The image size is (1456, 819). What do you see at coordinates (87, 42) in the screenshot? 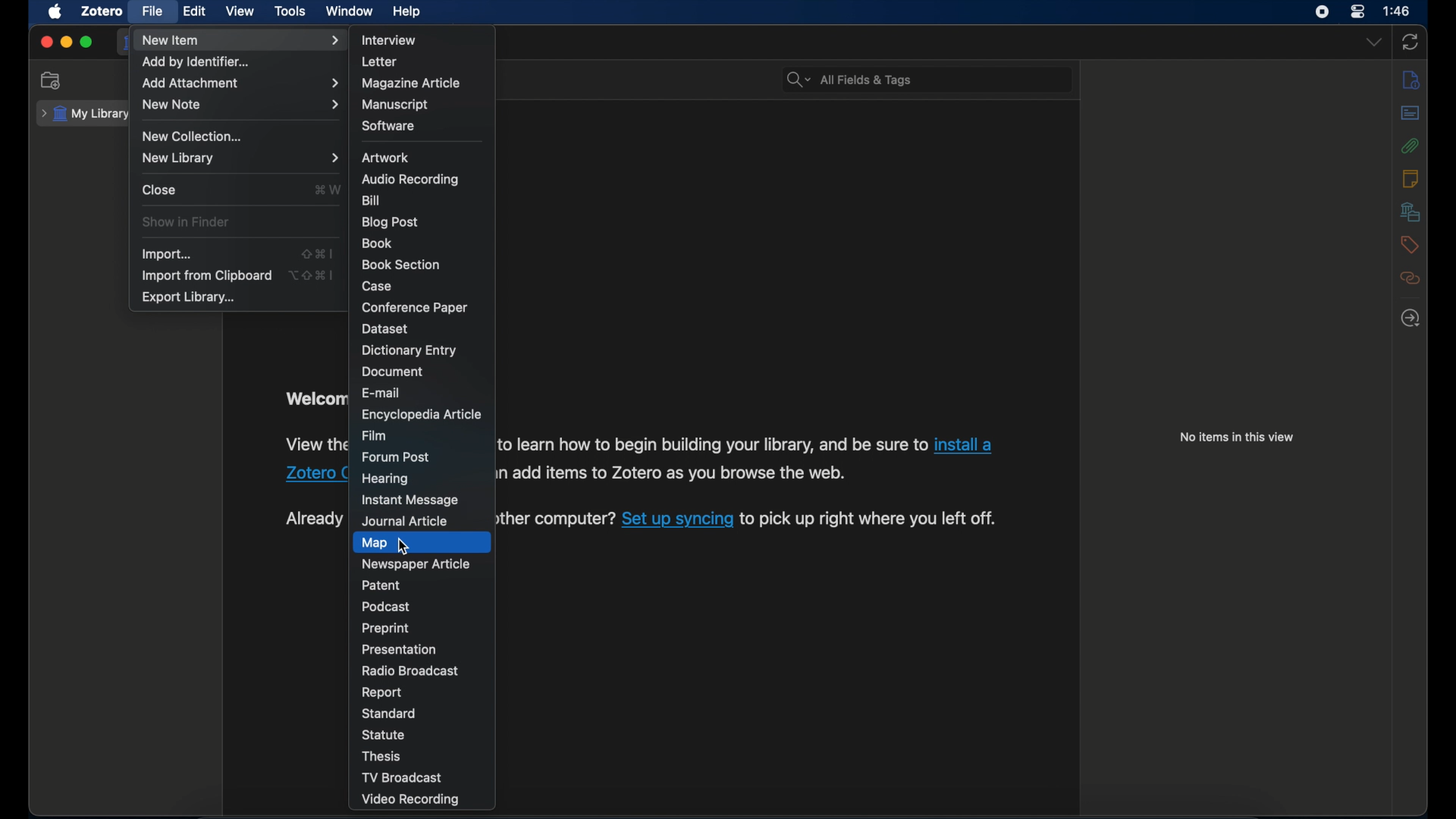
I see `maximize` at bounding box center [87, 42].